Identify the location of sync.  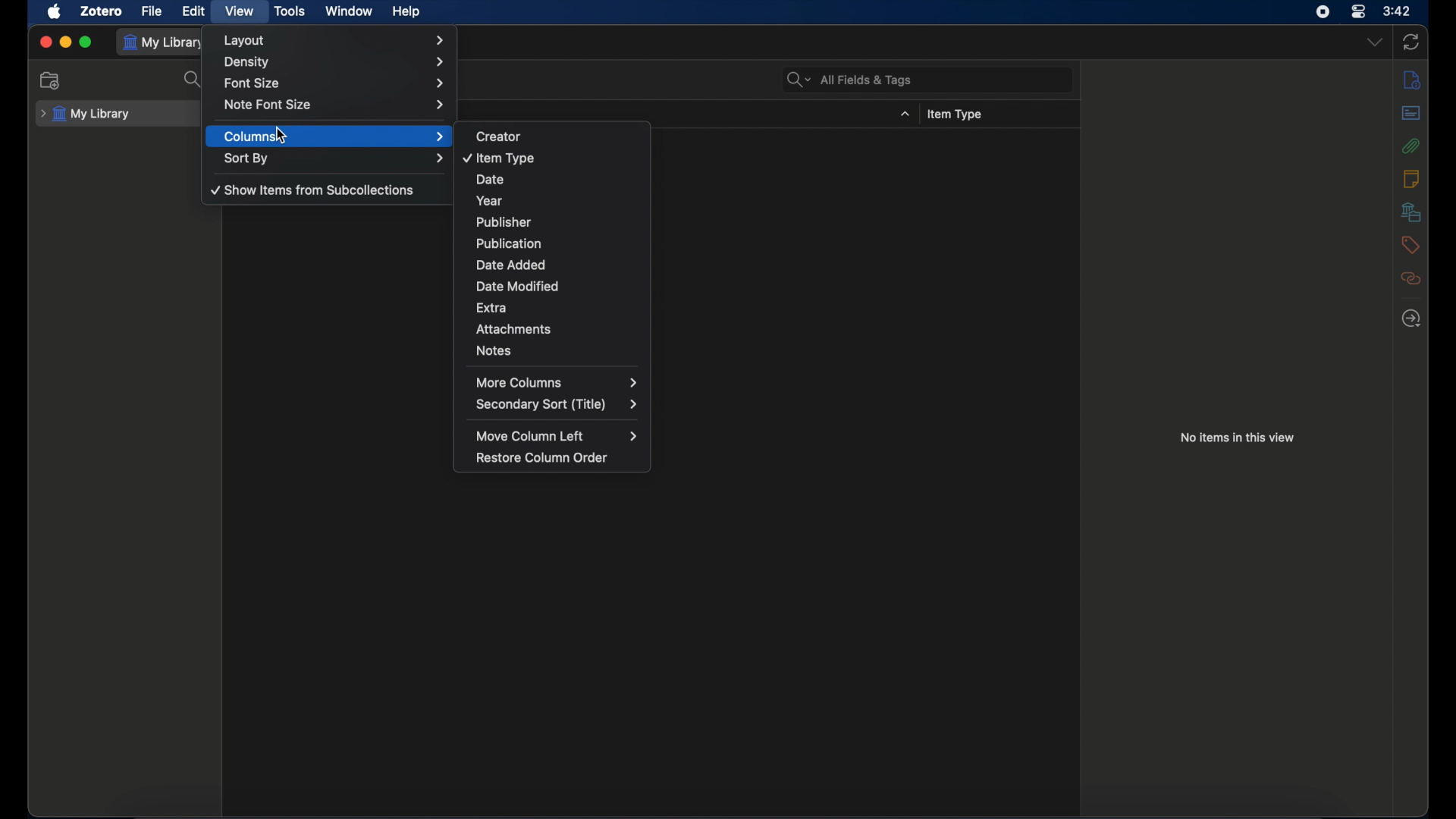
(1411, 42).